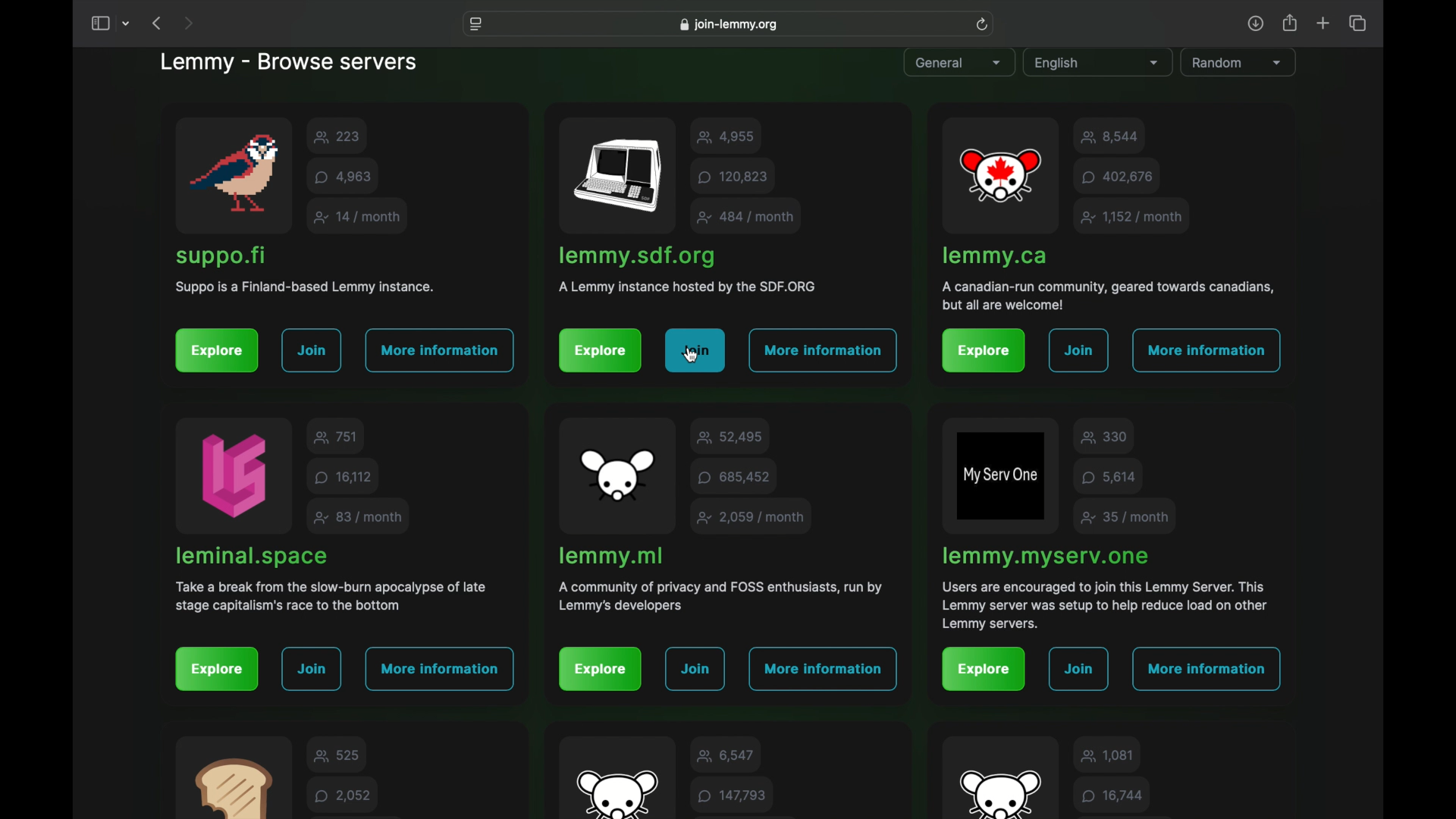 This screenshot has width=1456, height=819. Describe the element at coordinates (824, 350) in the screenshot. I see `more information` at that location.